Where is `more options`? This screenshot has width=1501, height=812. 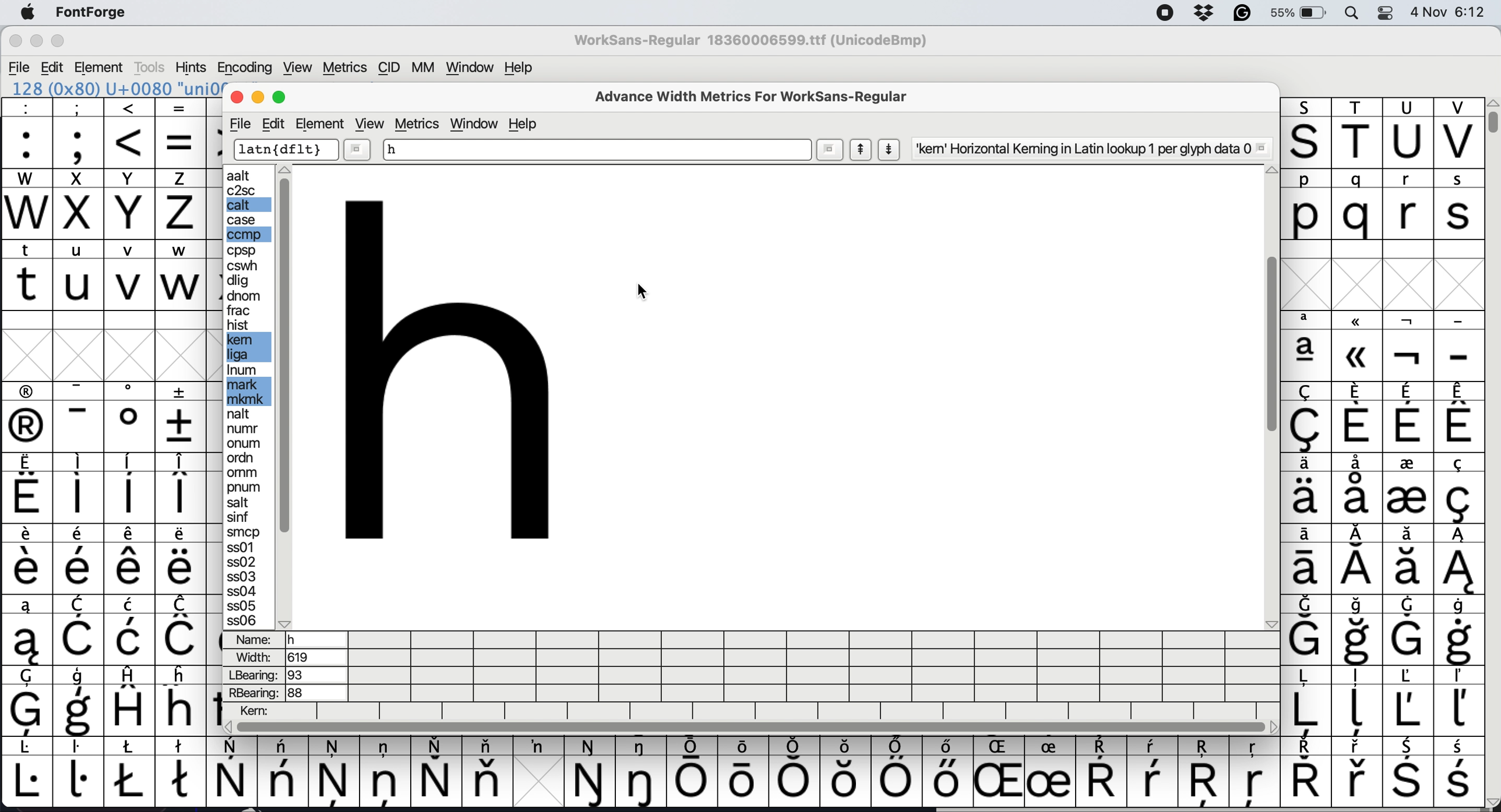
more options is located at coordinates (831, 151).